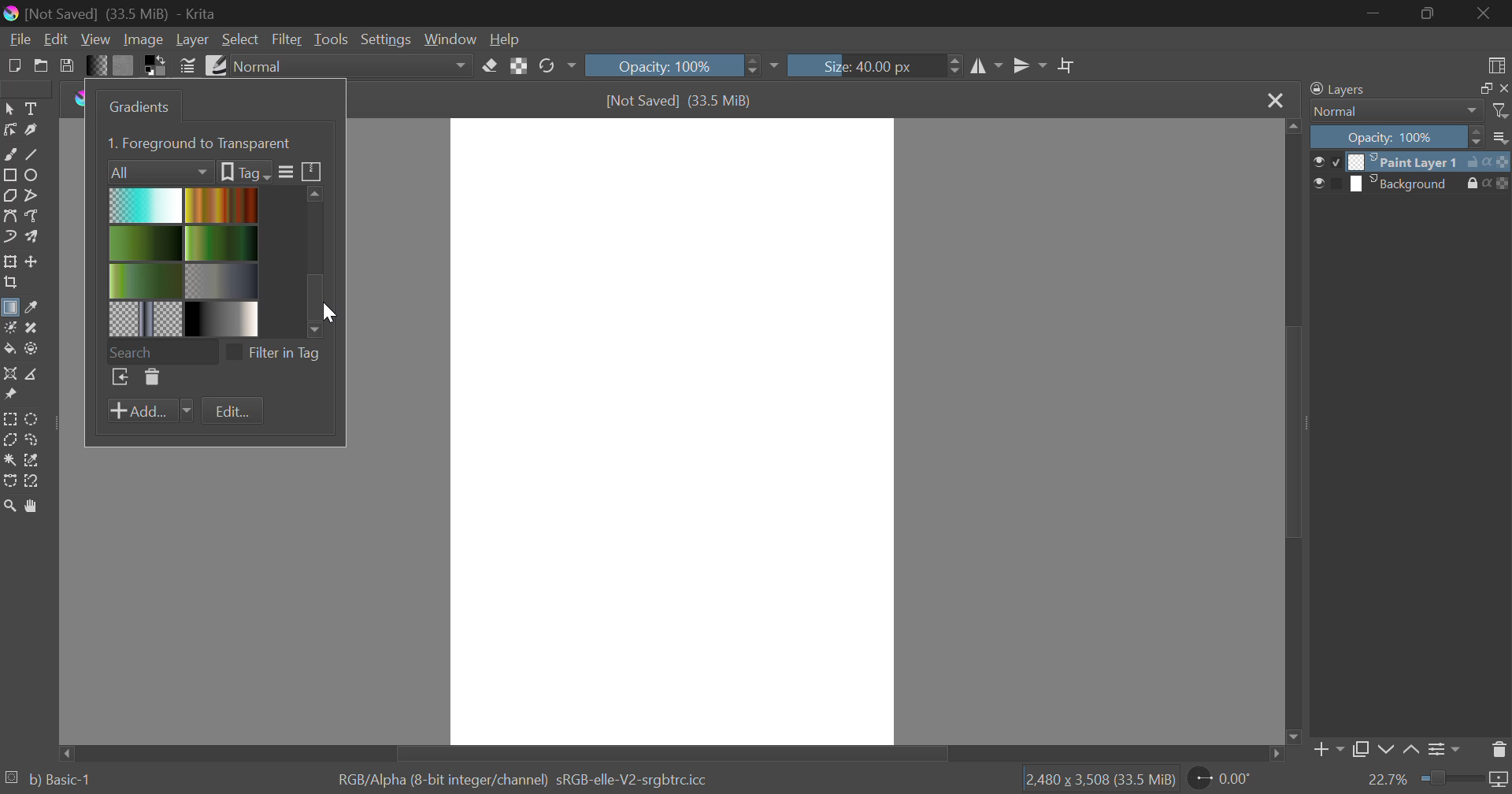 The image size is (1512, 794). Describe the element at coordinates (219, 318) in the screenshot. I see `Gradient 8` at that location.